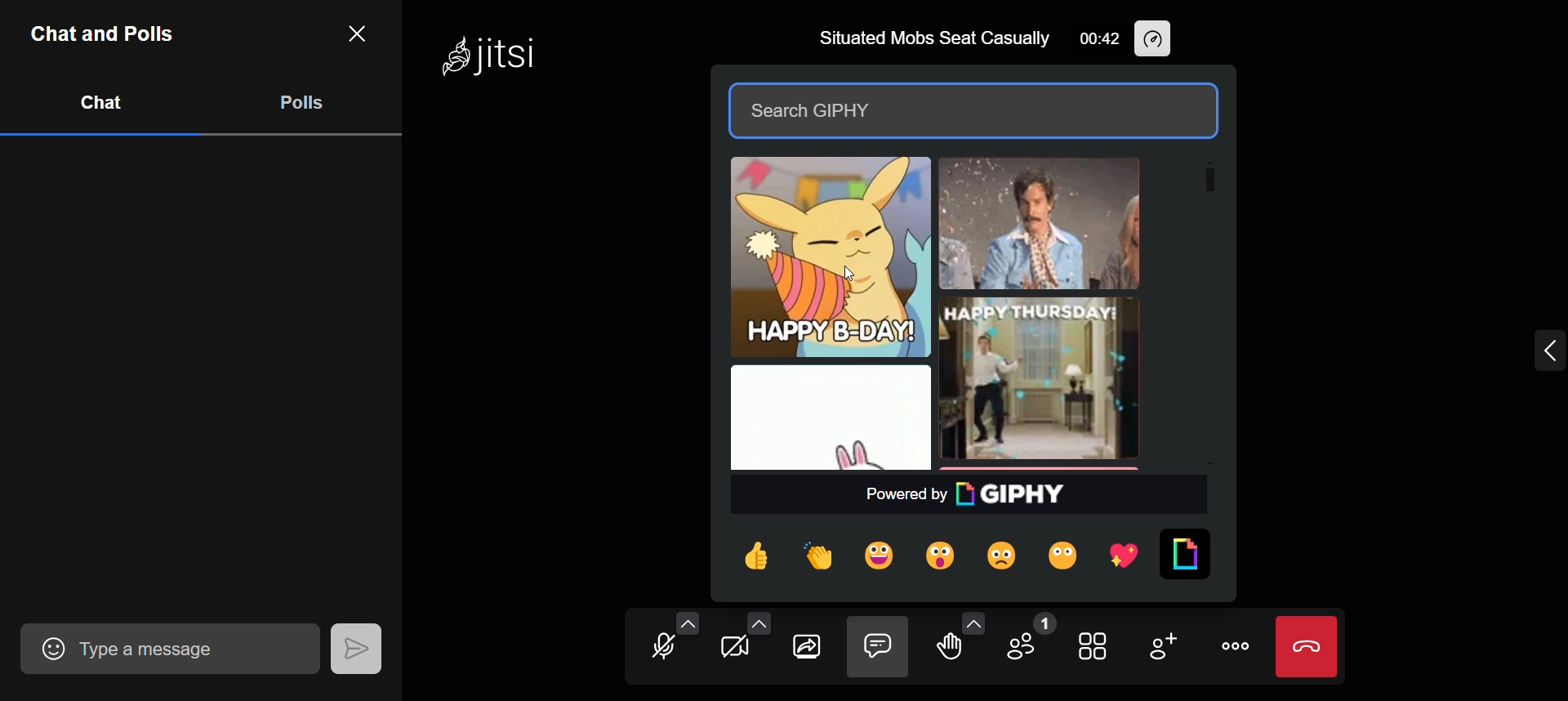 The height and width of the screenshot is (701, 1568). What do you see at coordinates (808, 645) in the screenshot?
I see `share screen` at bounding box center [808, 645].